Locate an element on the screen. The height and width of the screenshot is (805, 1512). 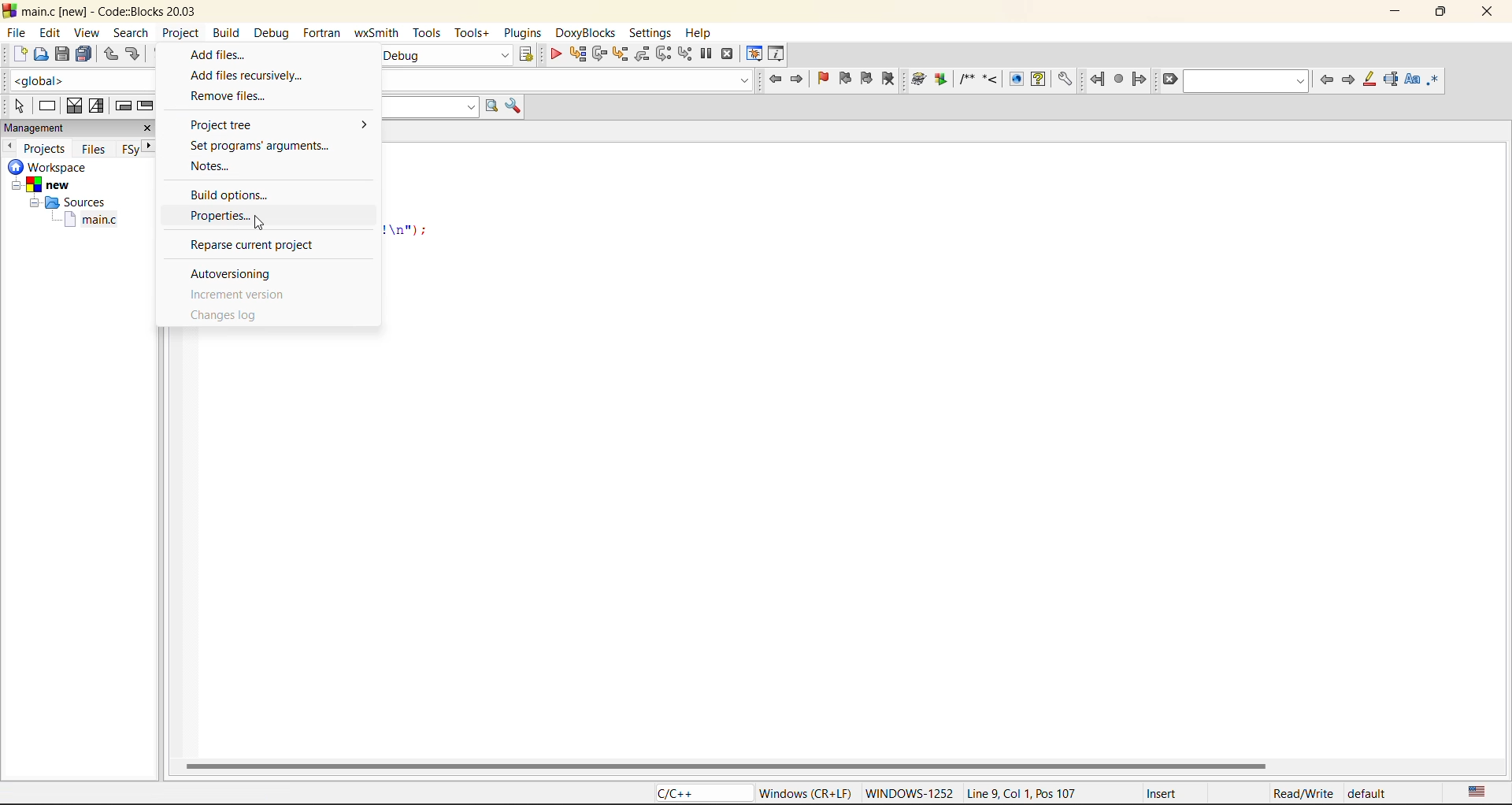
various info is located at coordinates (778, 52).